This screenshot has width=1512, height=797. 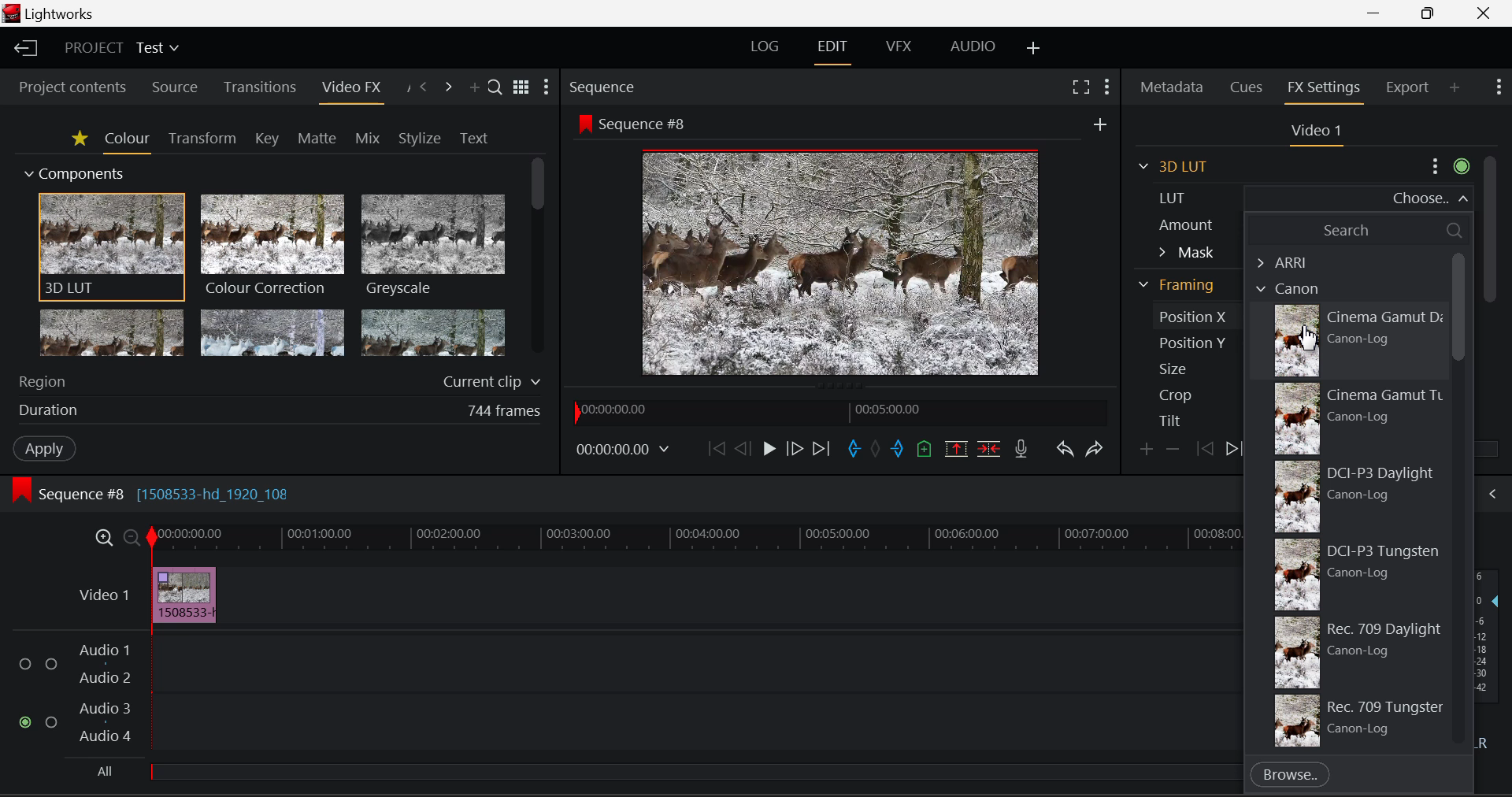 I want to click on , so click(x=1099, y=124).